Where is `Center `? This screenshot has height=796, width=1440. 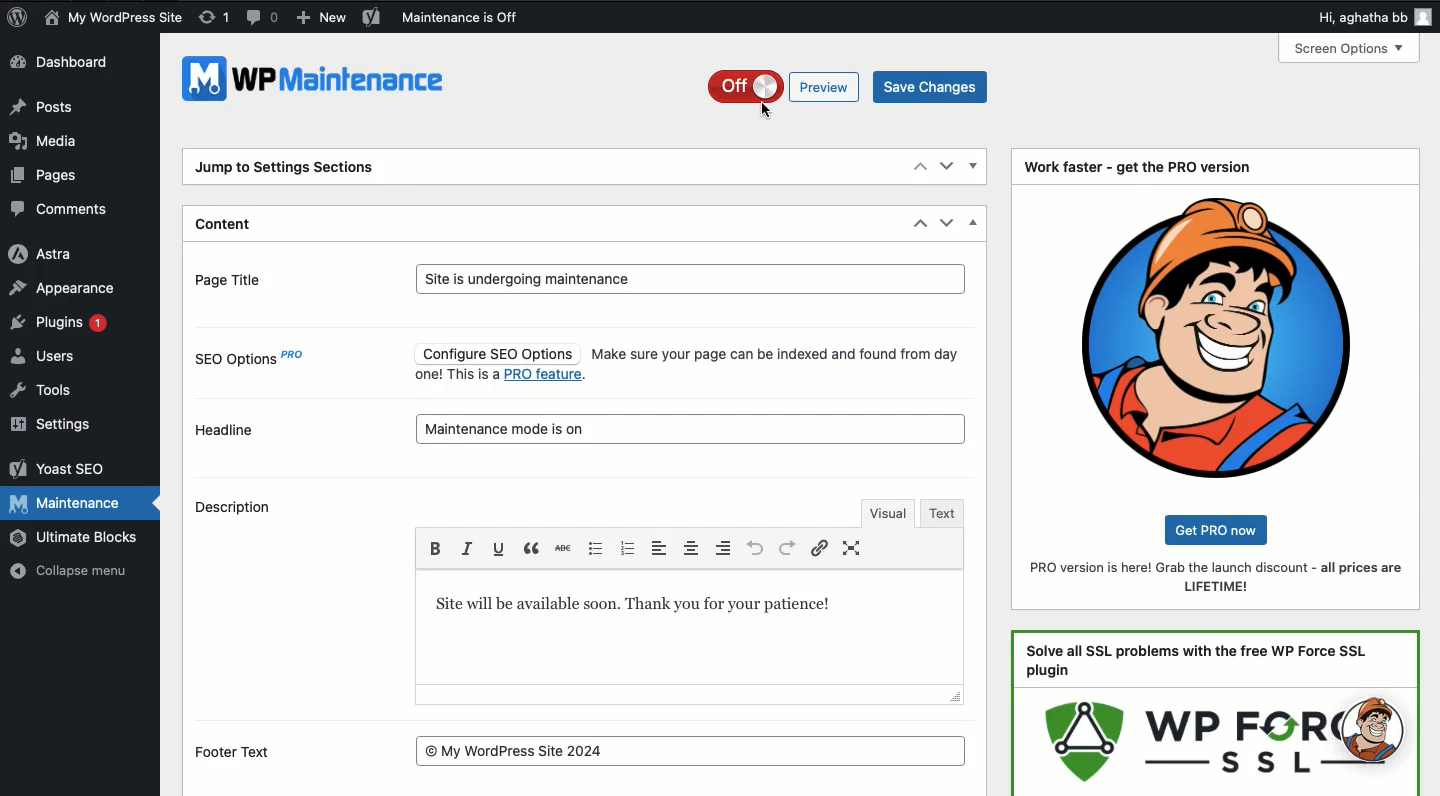
Center  is located at coordinates (694, 548).